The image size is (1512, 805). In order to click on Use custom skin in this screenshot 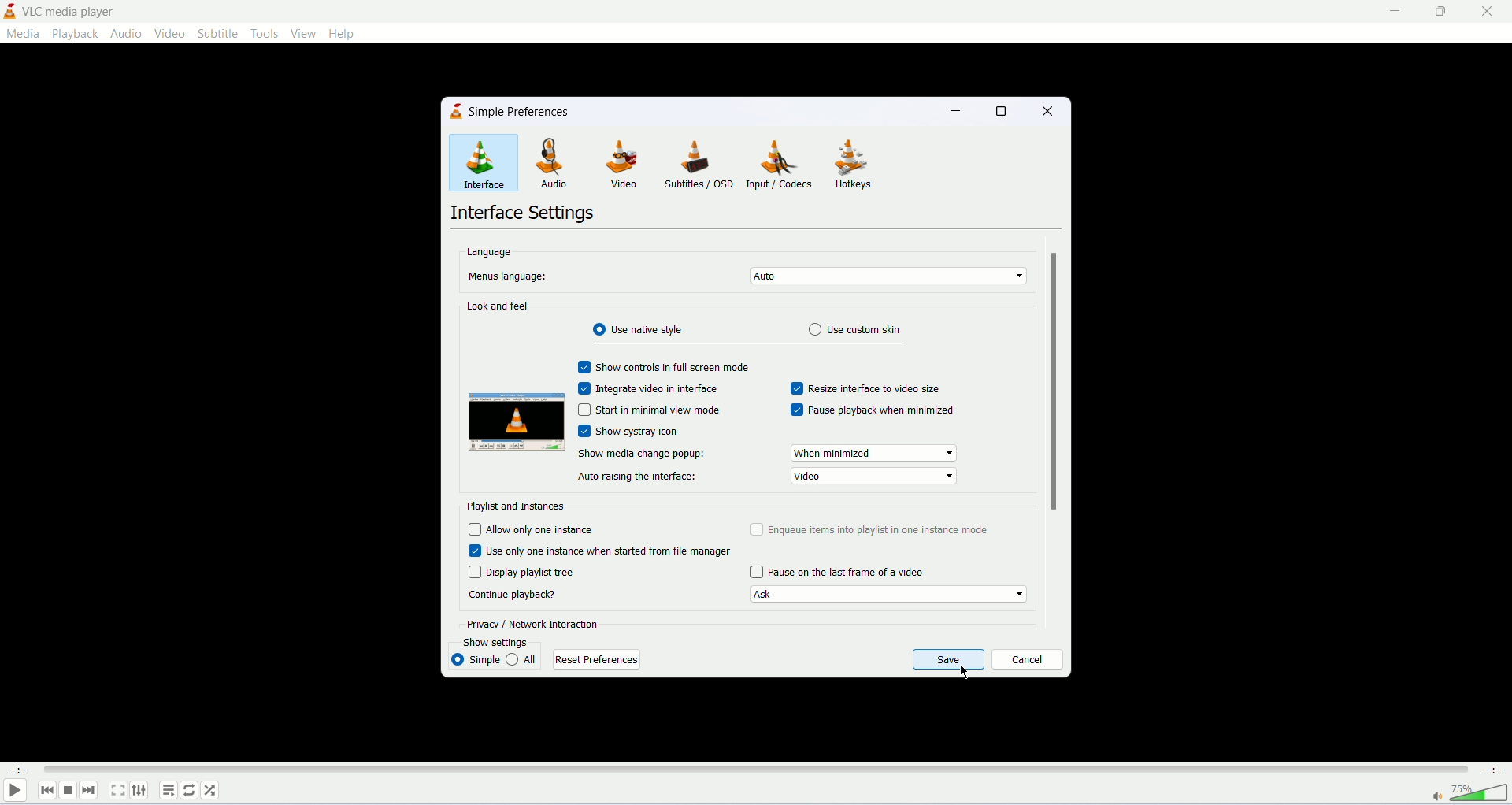, I will do `click(854, 331)`.